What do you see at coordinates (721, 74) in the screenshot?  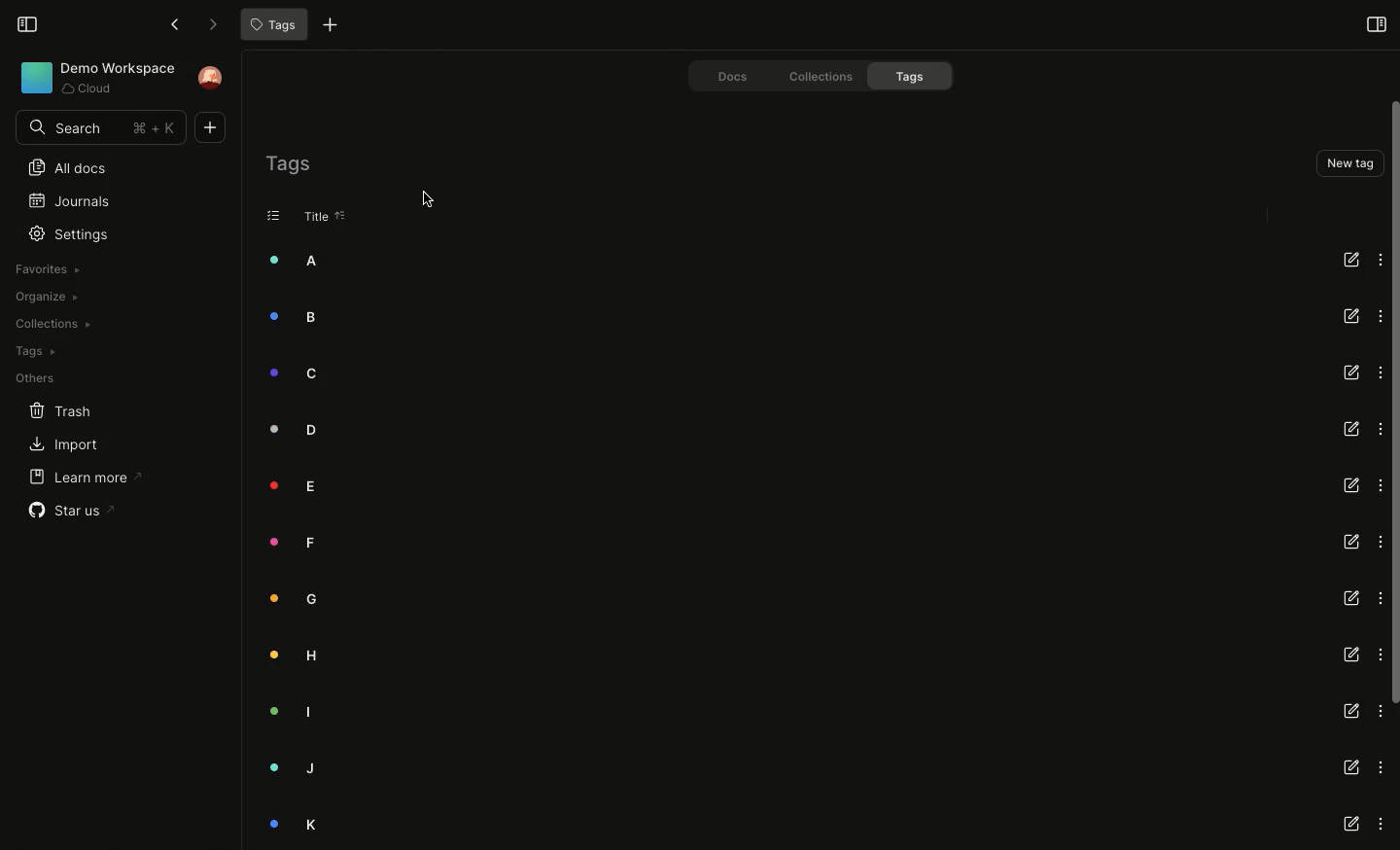 I see `Docs` at bounding box center [721, 74].